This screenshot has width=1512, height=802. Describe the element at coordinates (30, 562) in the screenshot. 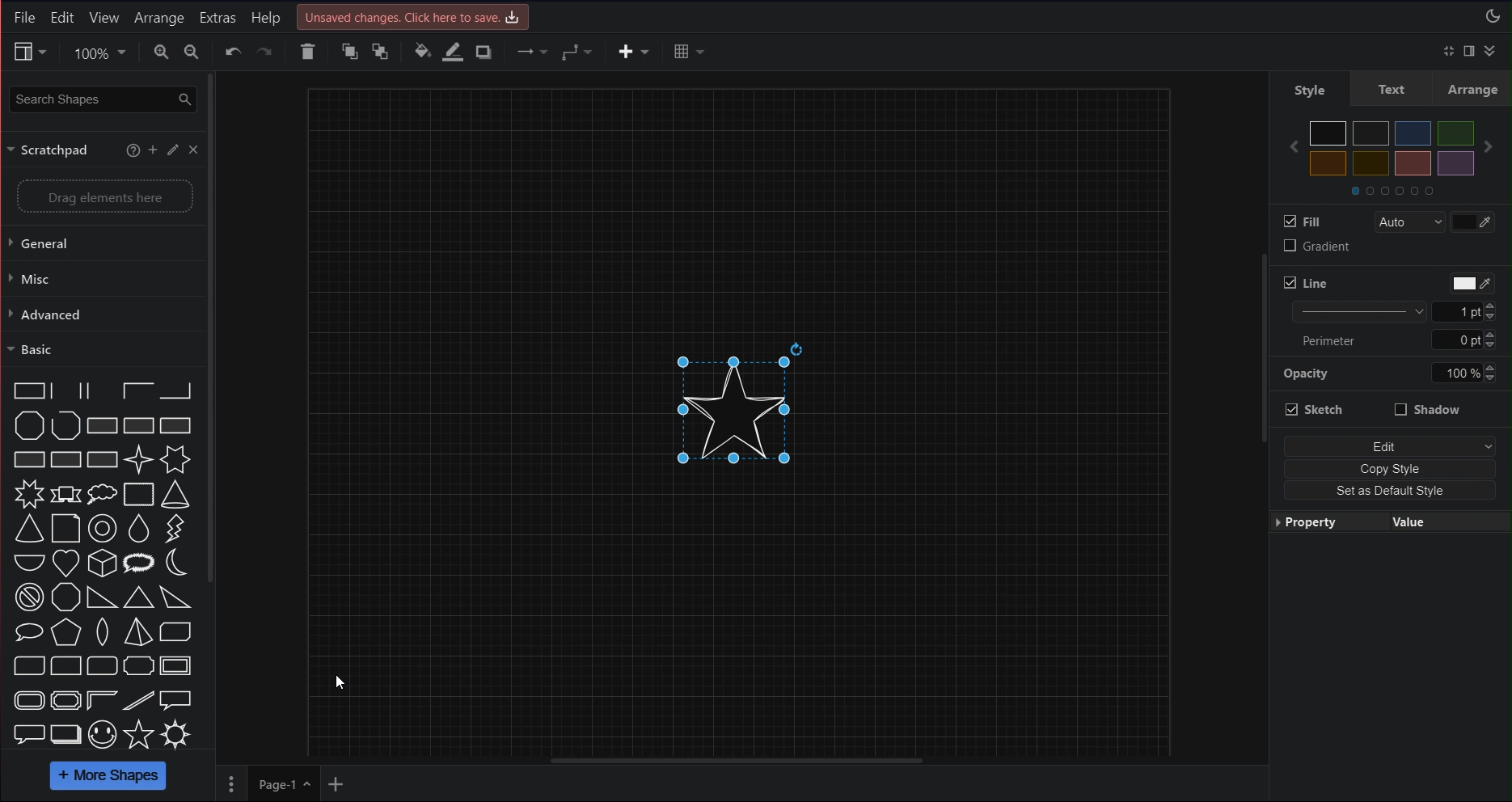

I see `half circle` at that location.